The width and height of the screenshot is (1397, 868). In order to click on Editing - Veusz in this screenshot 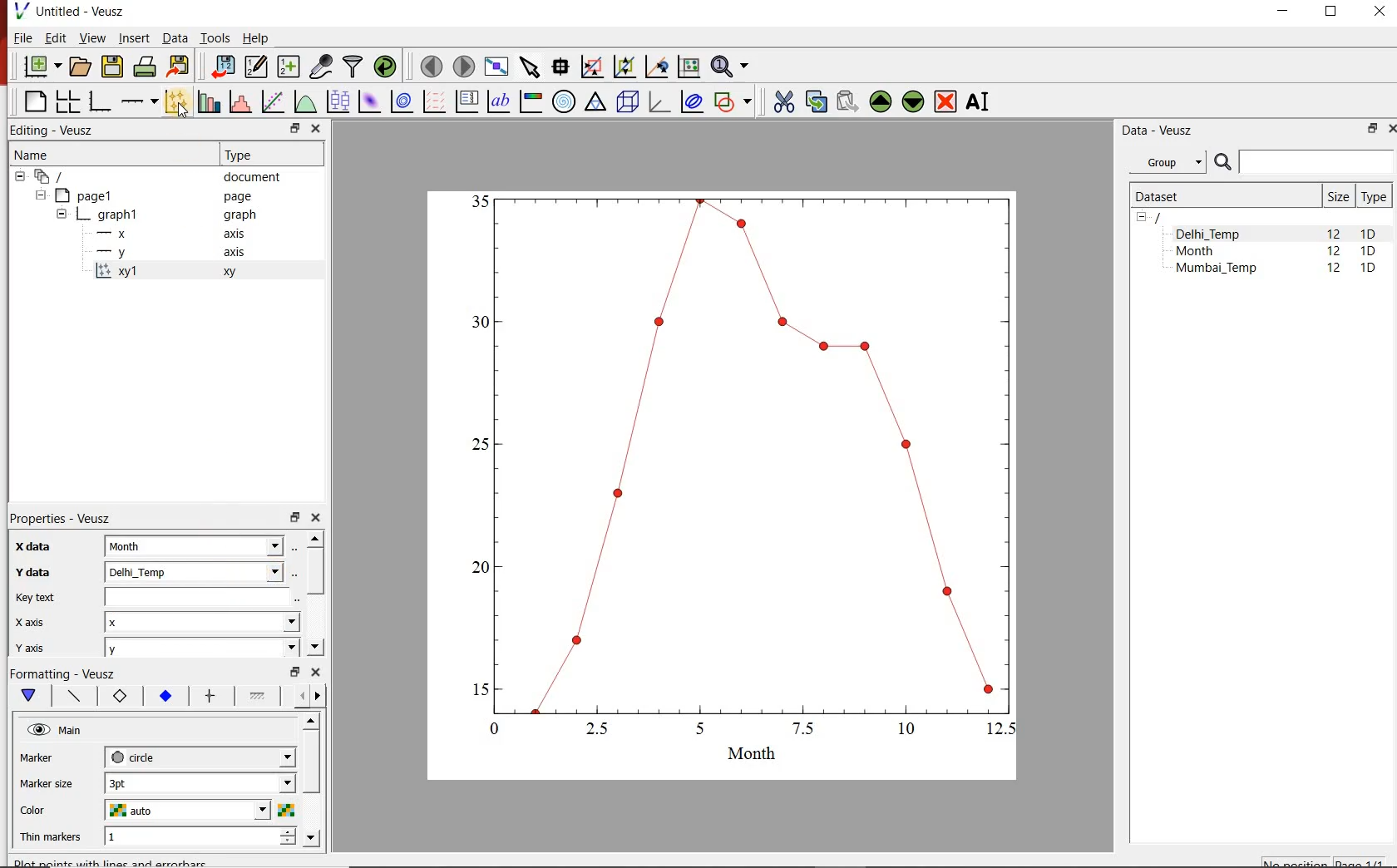, I will do `click(62, 129)`.